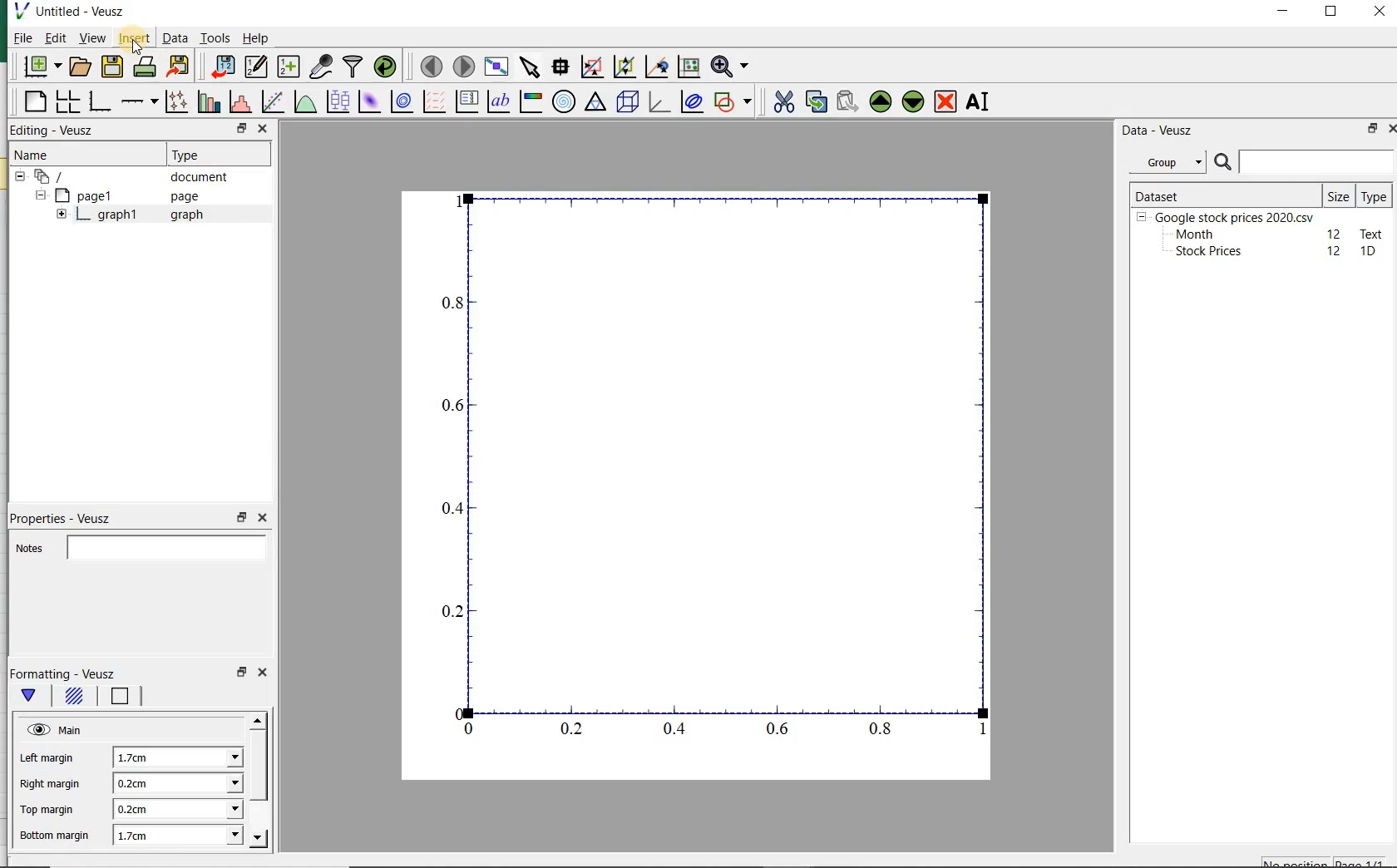 The width and height of the screenshot is (1397, 868). I want to click on 12, so click(1335, 233).